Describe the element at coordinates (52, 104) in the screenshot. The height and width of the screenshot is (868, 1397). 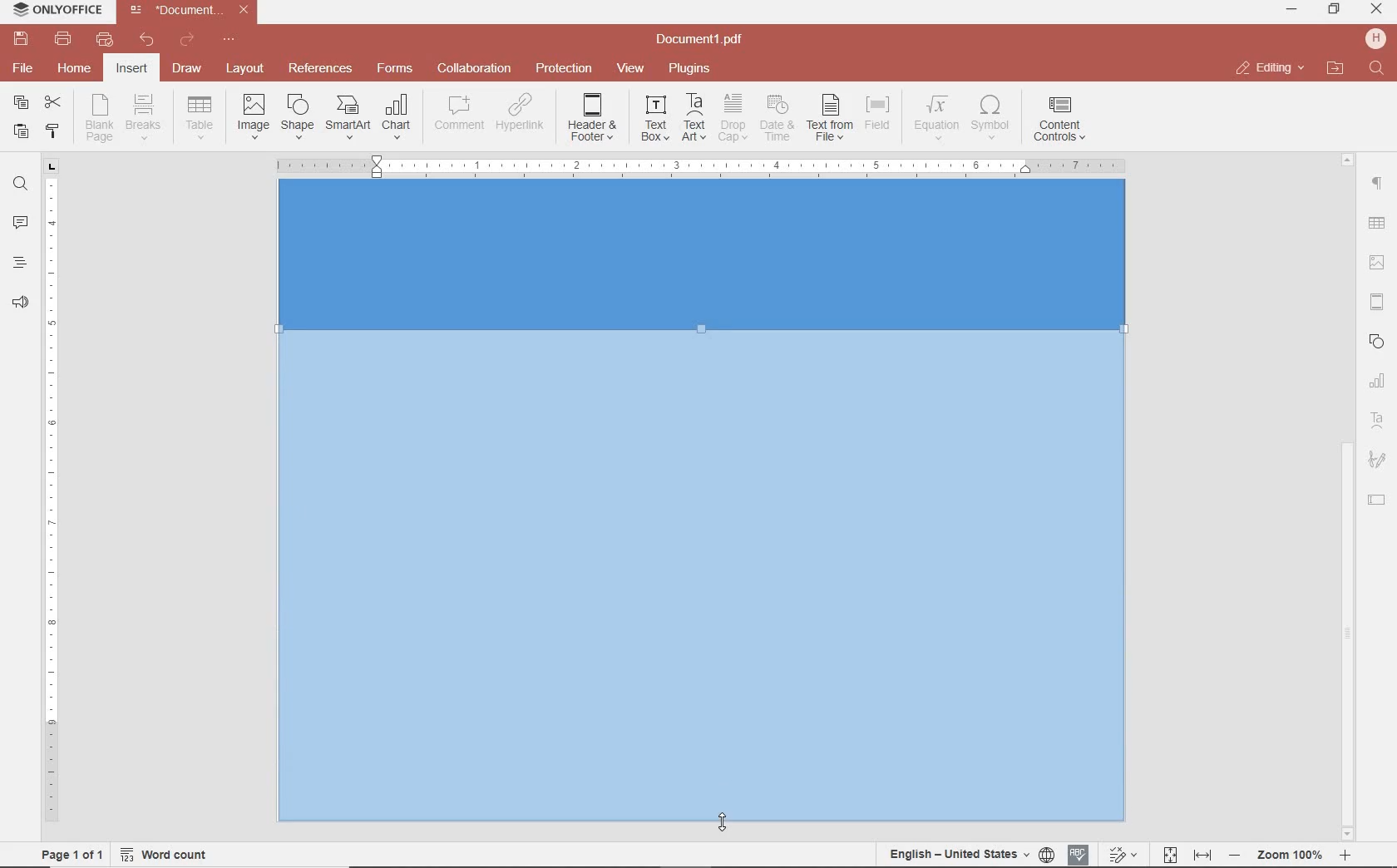
I see `cut` at that location.